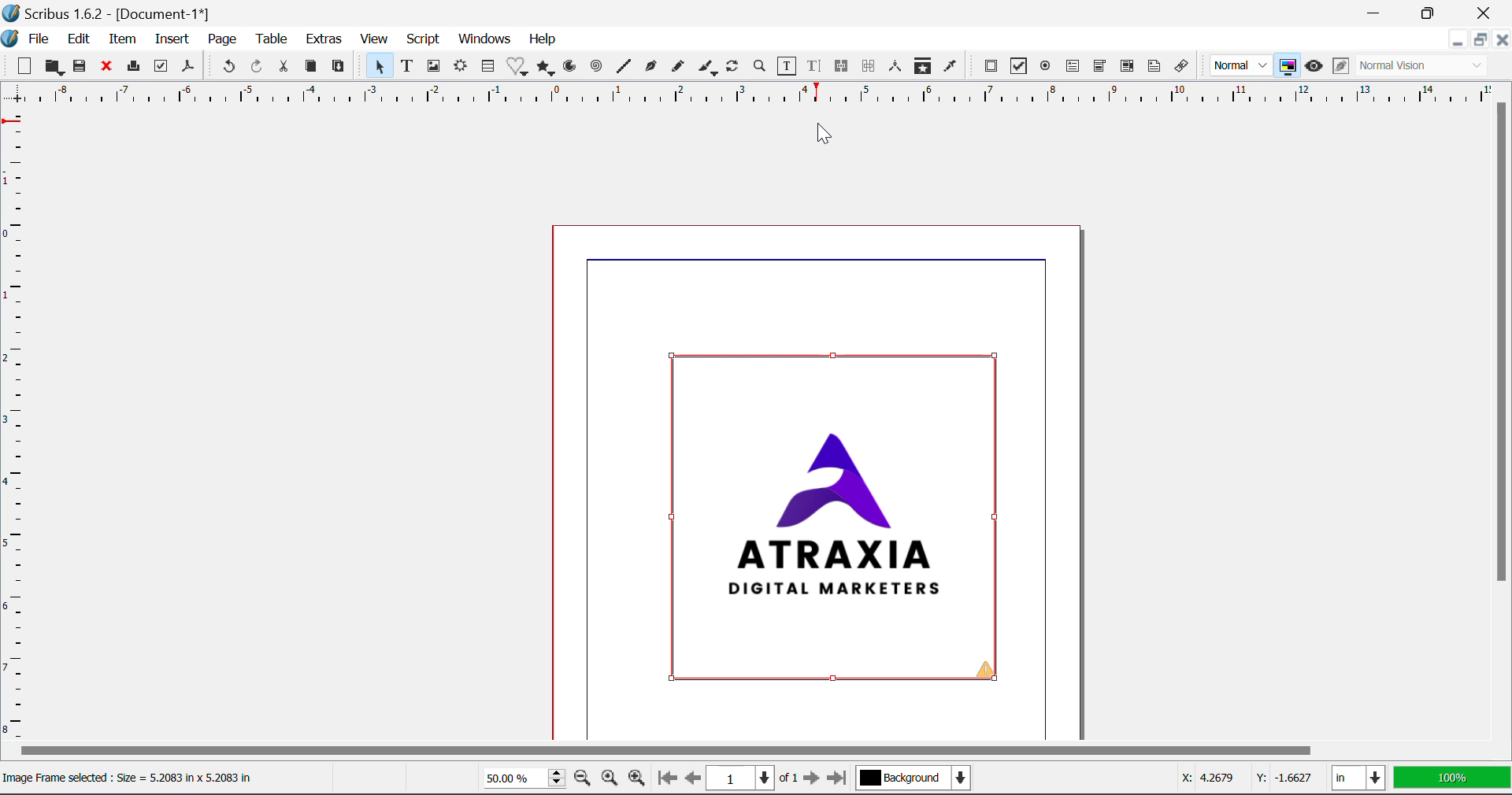 The width and height of the screenshot is (1512, 795). Describe the element at coordinates (1503, 423) in the screenshot. I see `Vertical Scroll Bar` at that location.